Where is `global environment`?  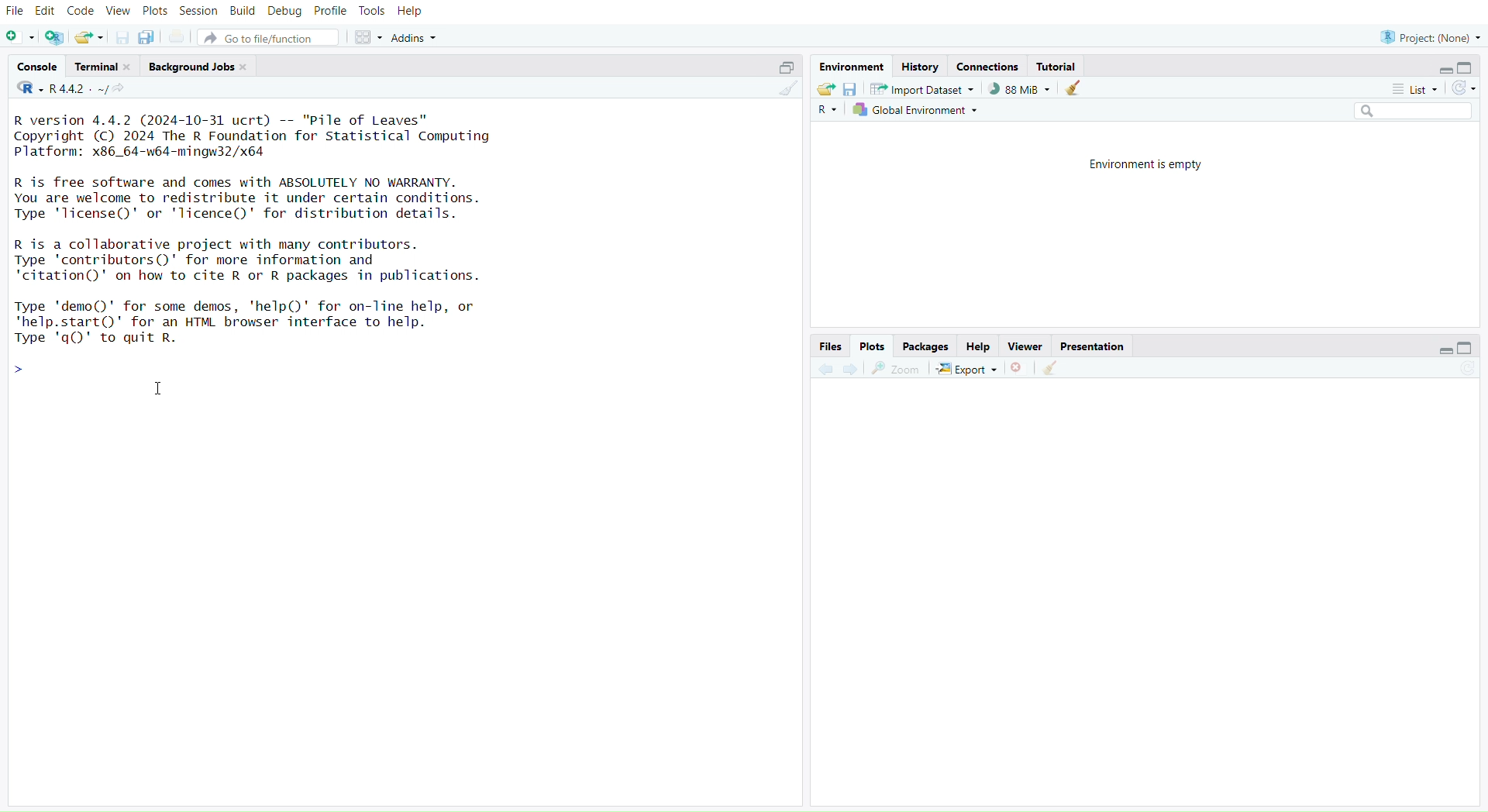
global environment is located at coordinates (917, 109).